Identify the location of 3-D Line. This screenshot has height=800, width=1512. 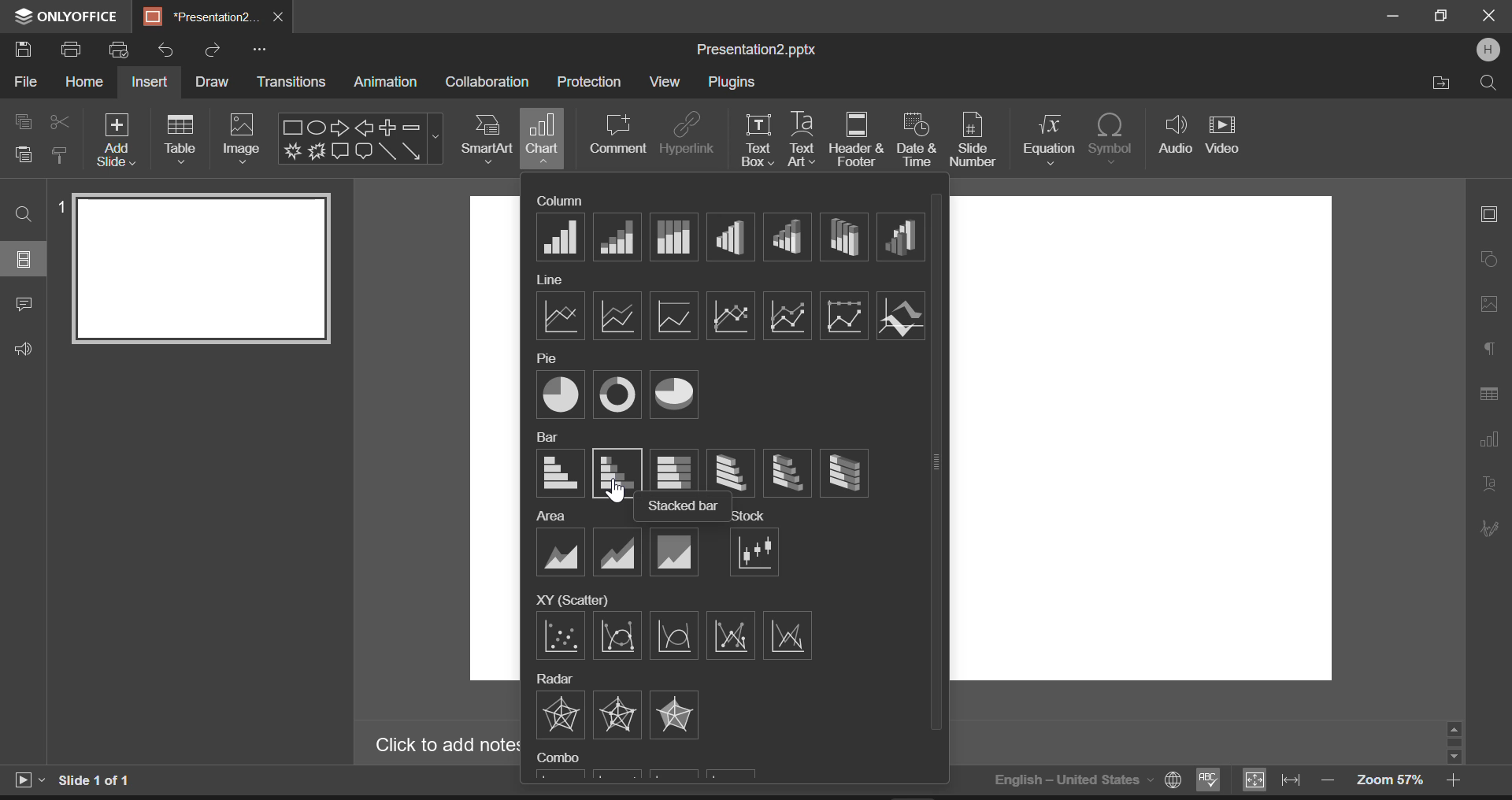
(901, 317).